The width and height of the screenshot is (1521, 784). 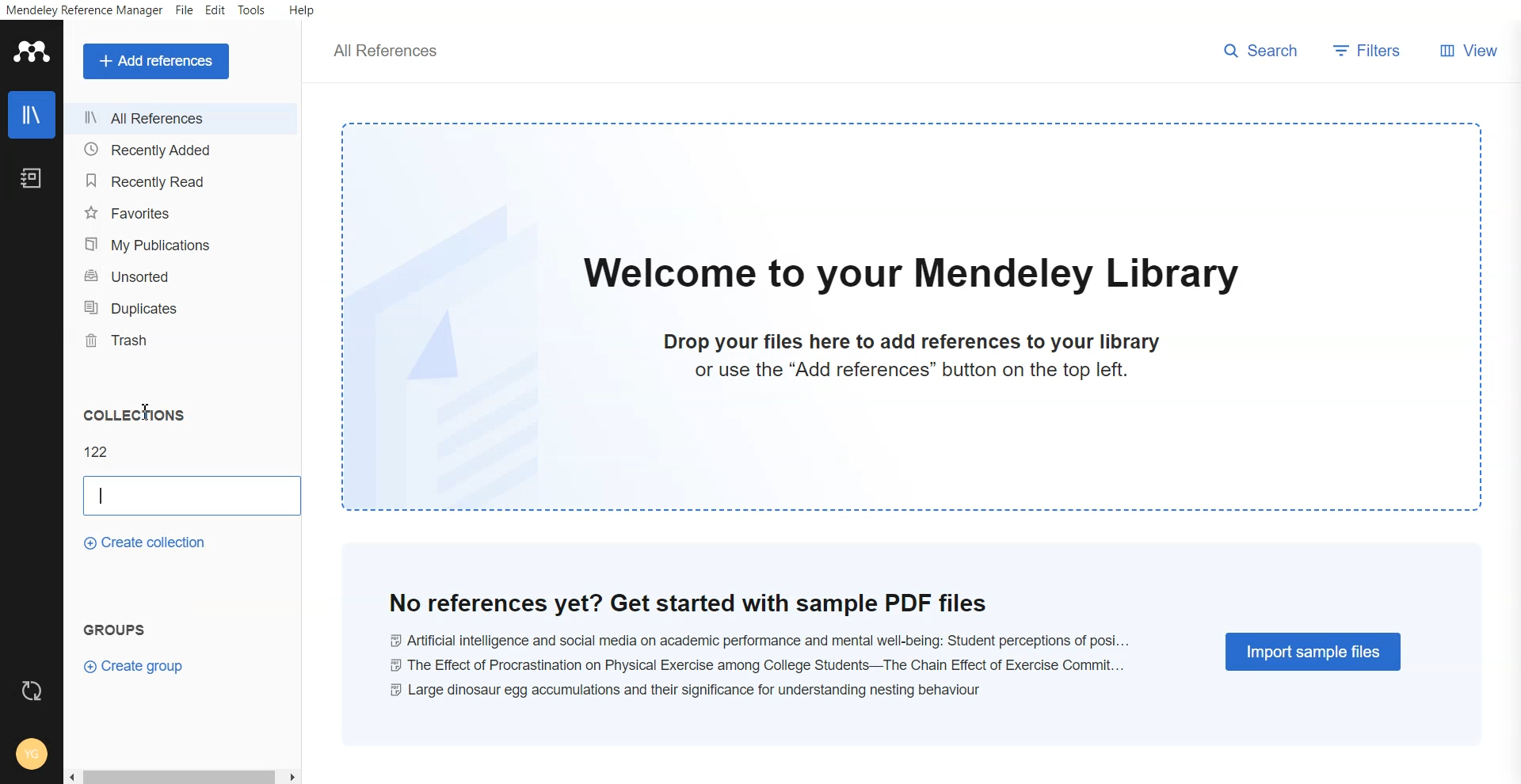 I want to click on Create group, so click(x=142, y=666).